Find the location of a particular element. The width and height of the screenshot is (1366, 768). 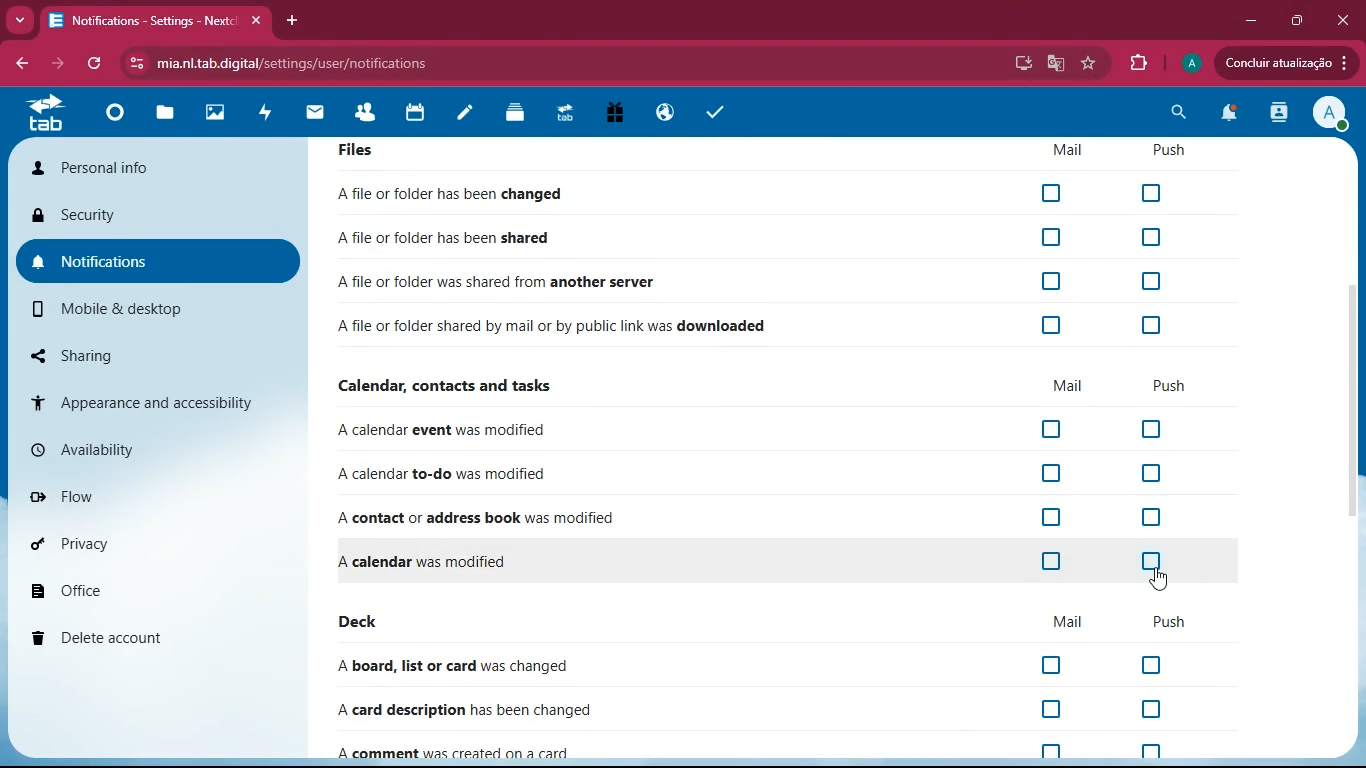

home is located at coordinates (121, 117).